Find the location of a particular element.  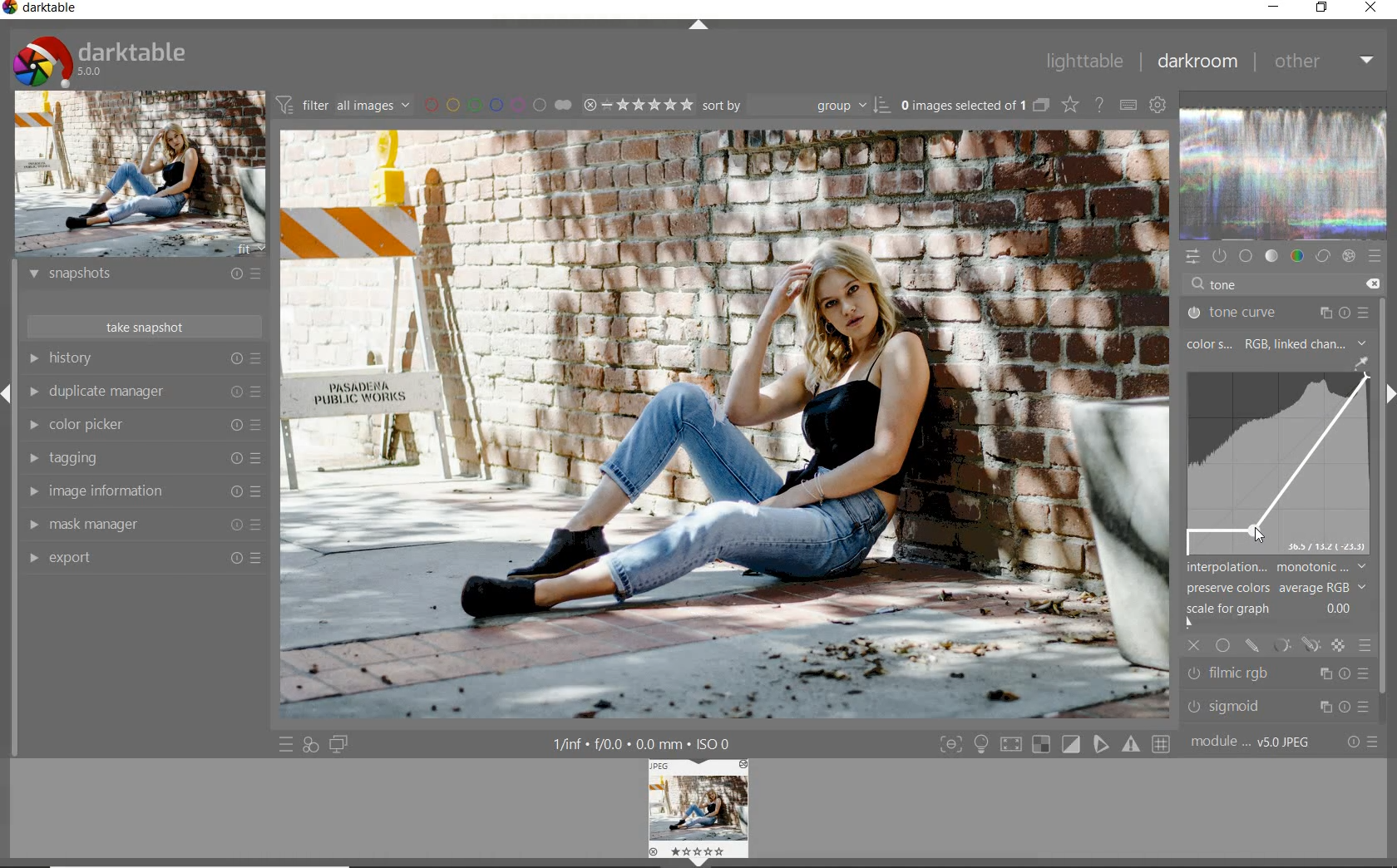

system logo is located at coordinates (101, 60).